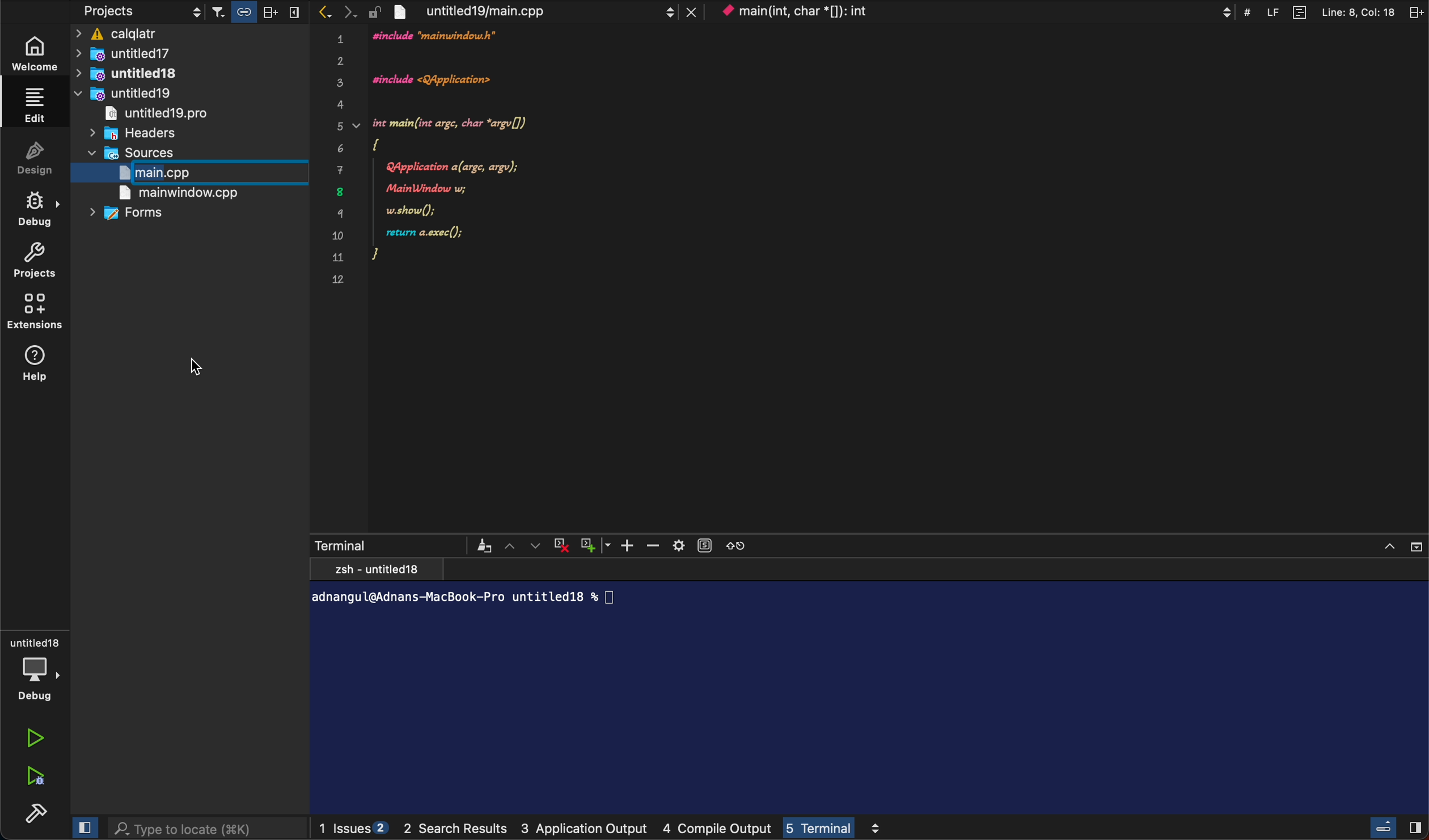  What do you see at coordinates (335, 12) in the screenshot?
I see `arrows` at bounding box center [335, 12].